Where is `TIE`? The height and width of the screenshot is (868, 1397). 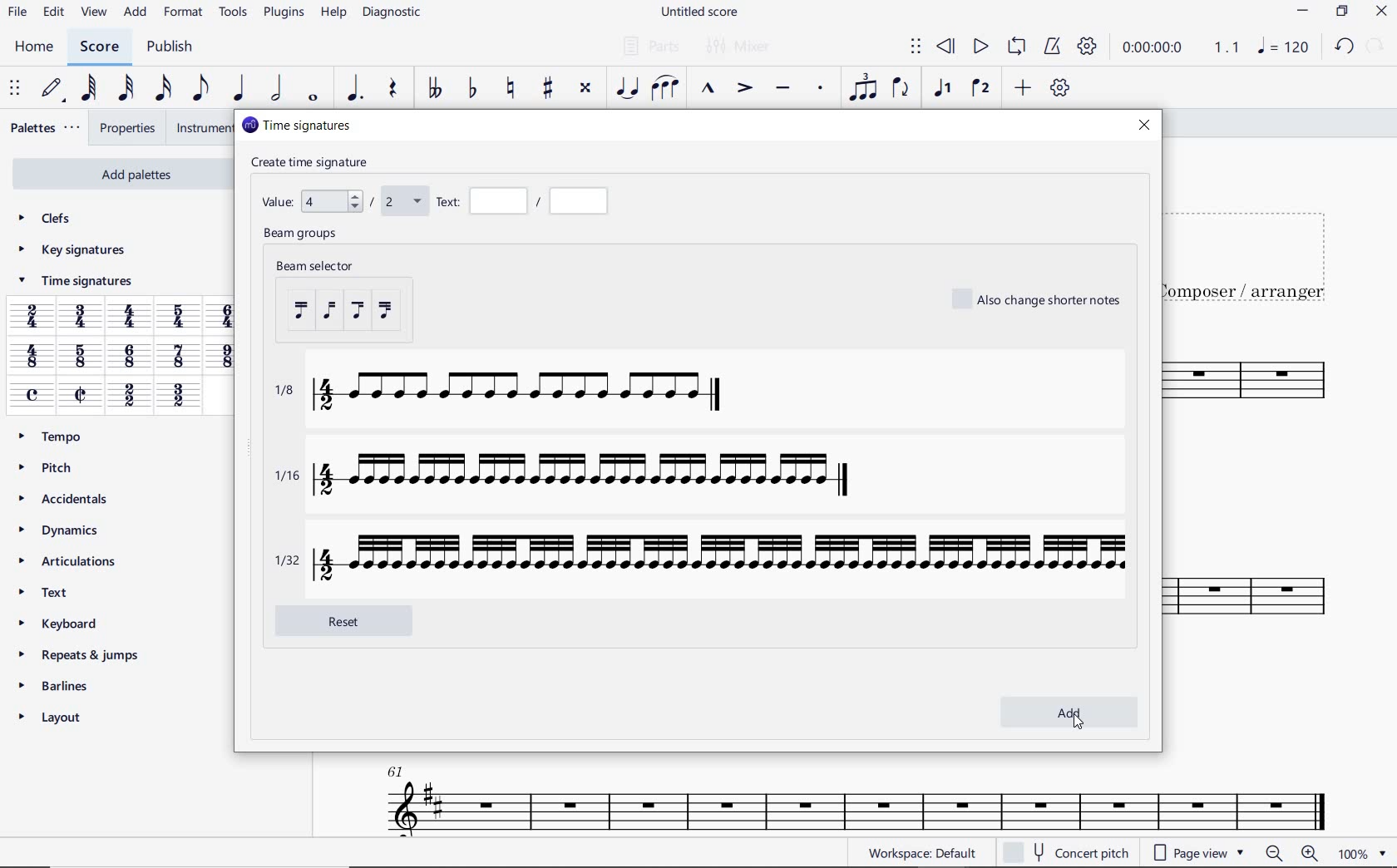 TIE is located at coordinates (627, 86).